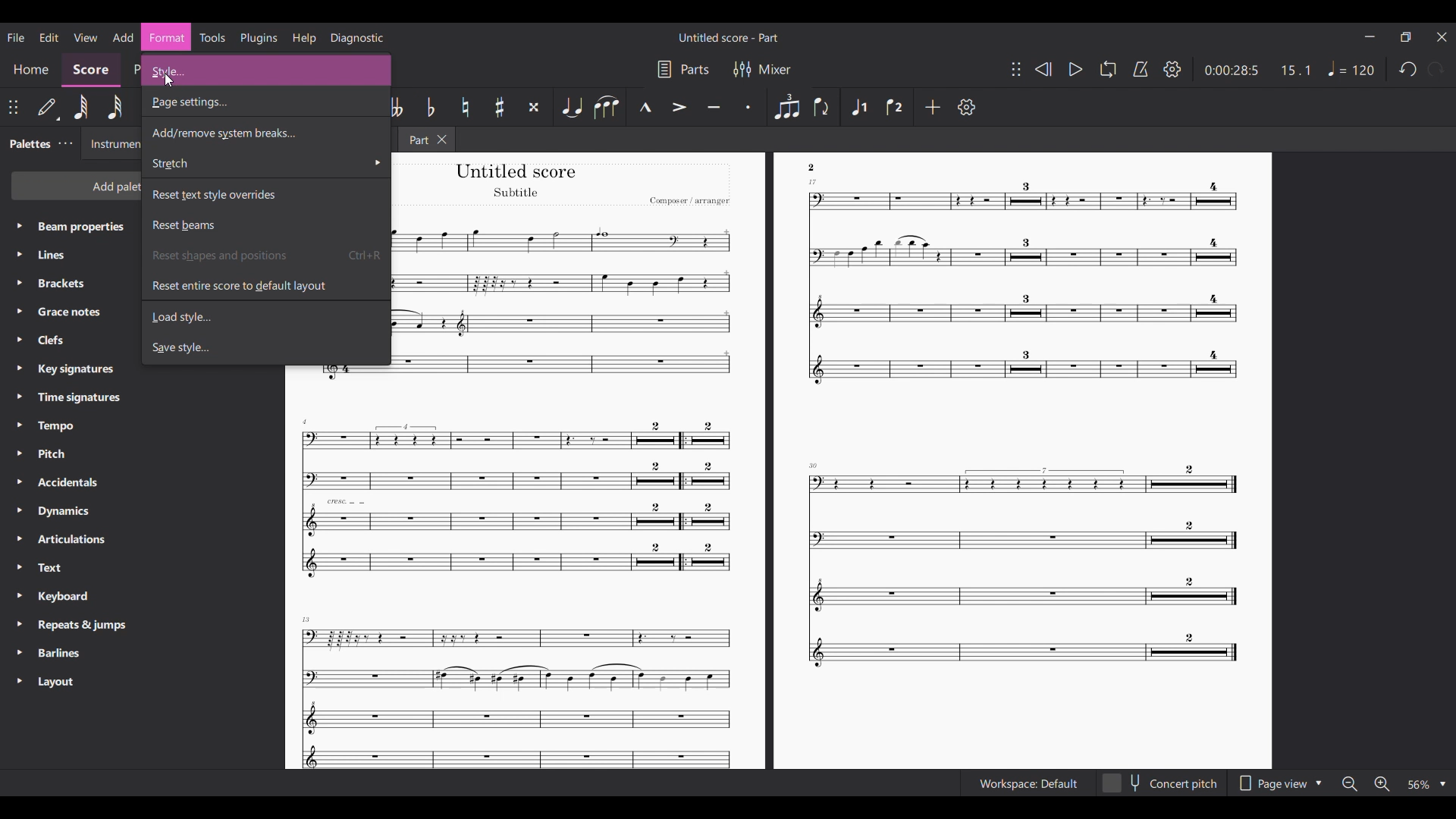  Describe the element at coordinates (895, 107) in the screenshot. I see `Voice 2` at that location.